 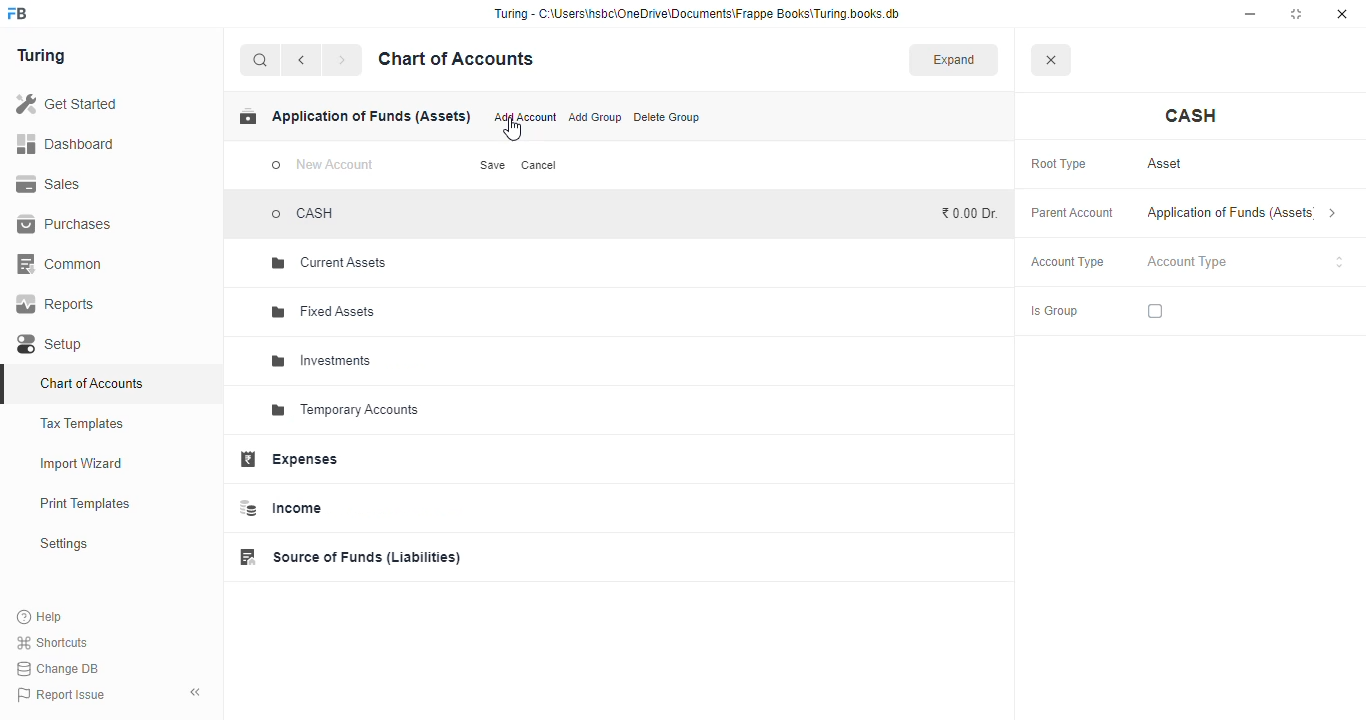 I want to click on change DB, so click(x=59, y=668).